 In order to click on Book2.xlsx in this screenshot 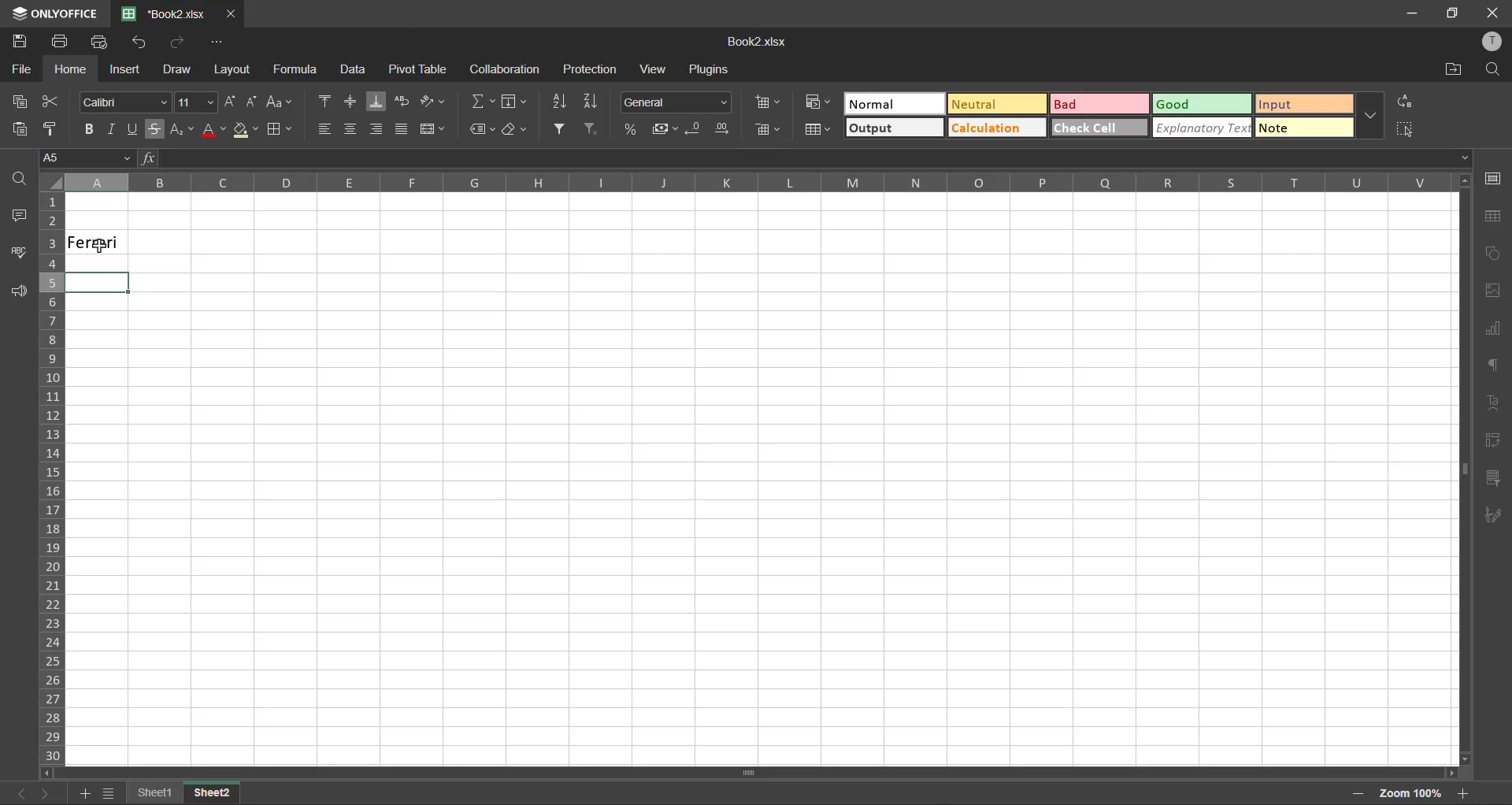, I will do `click(758, 42)`.